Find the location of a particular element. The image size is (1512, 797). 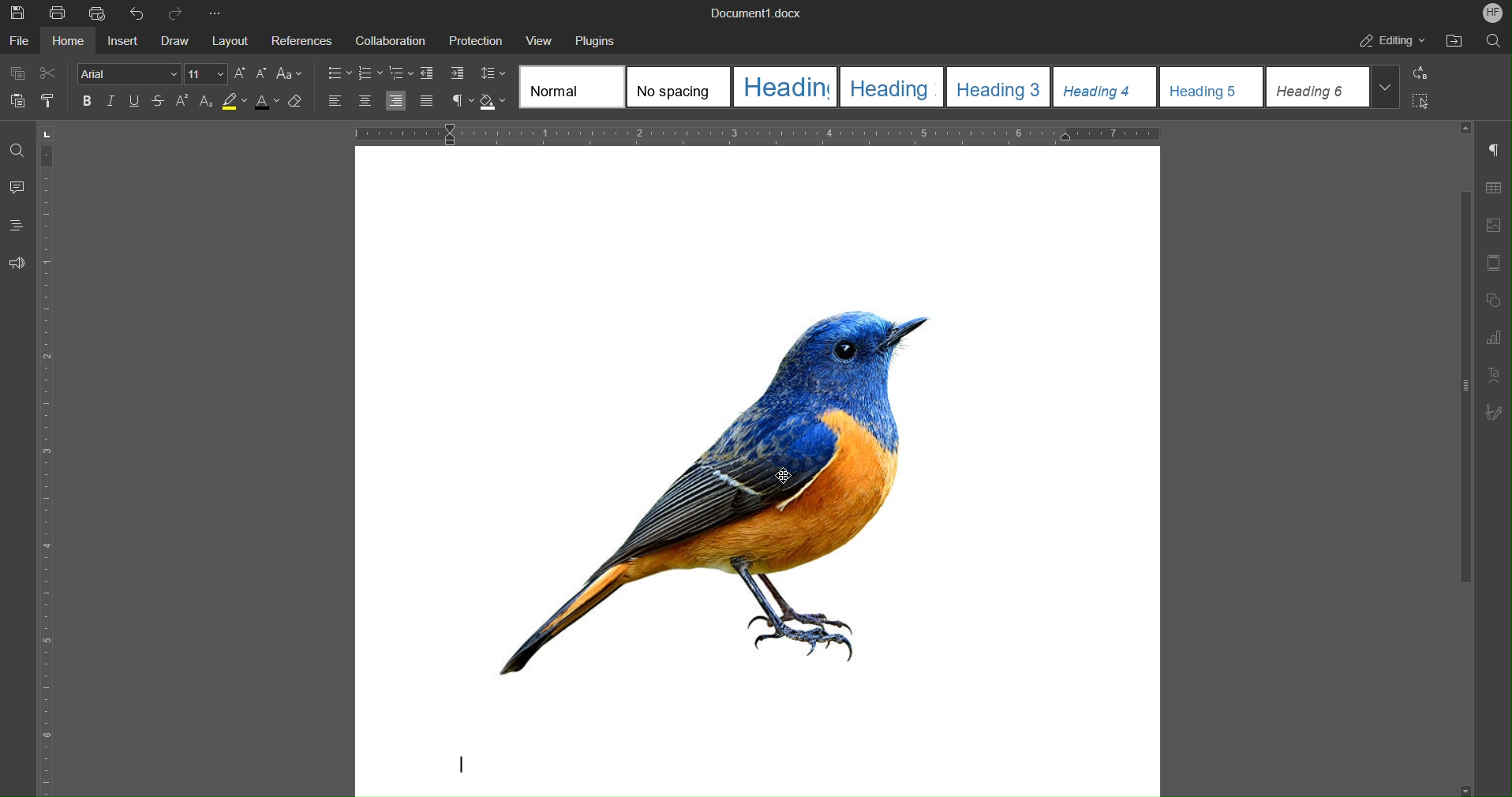

Copy is located at coordinates (16, 73).